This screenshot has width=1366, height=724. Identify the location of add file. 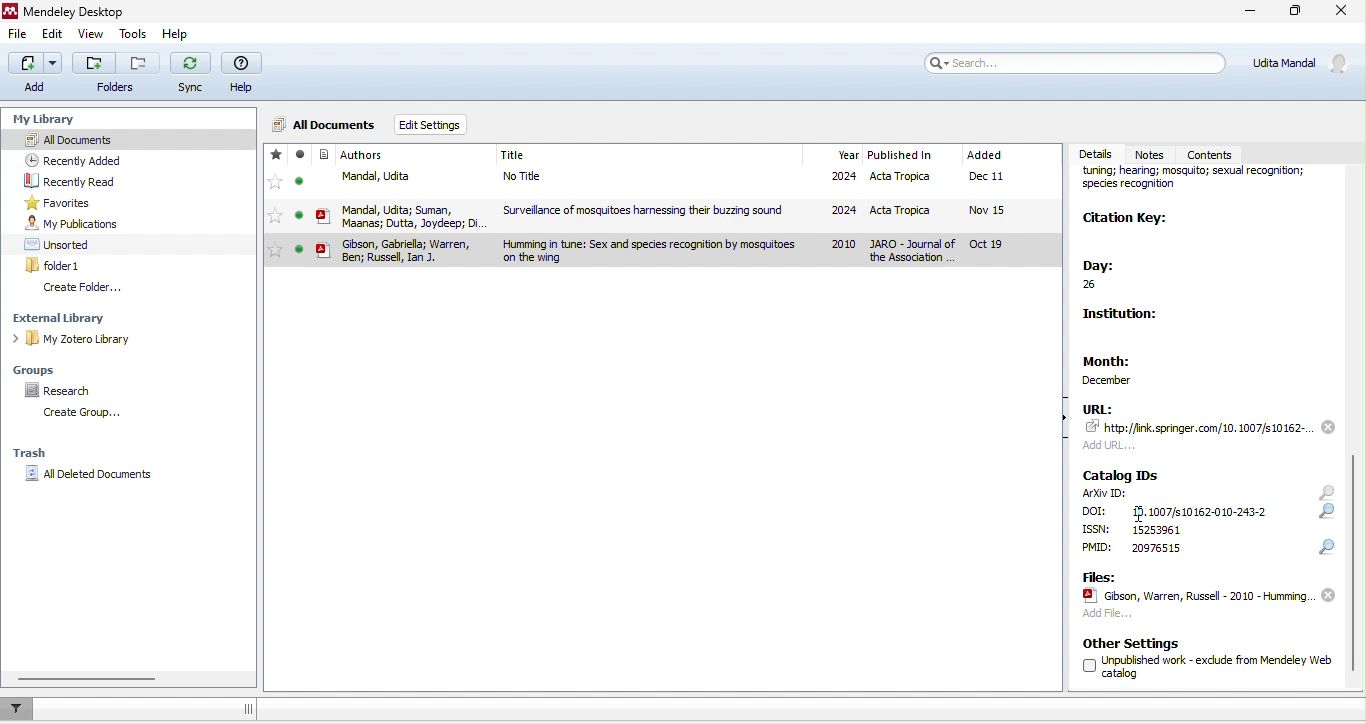
(1107, 616).